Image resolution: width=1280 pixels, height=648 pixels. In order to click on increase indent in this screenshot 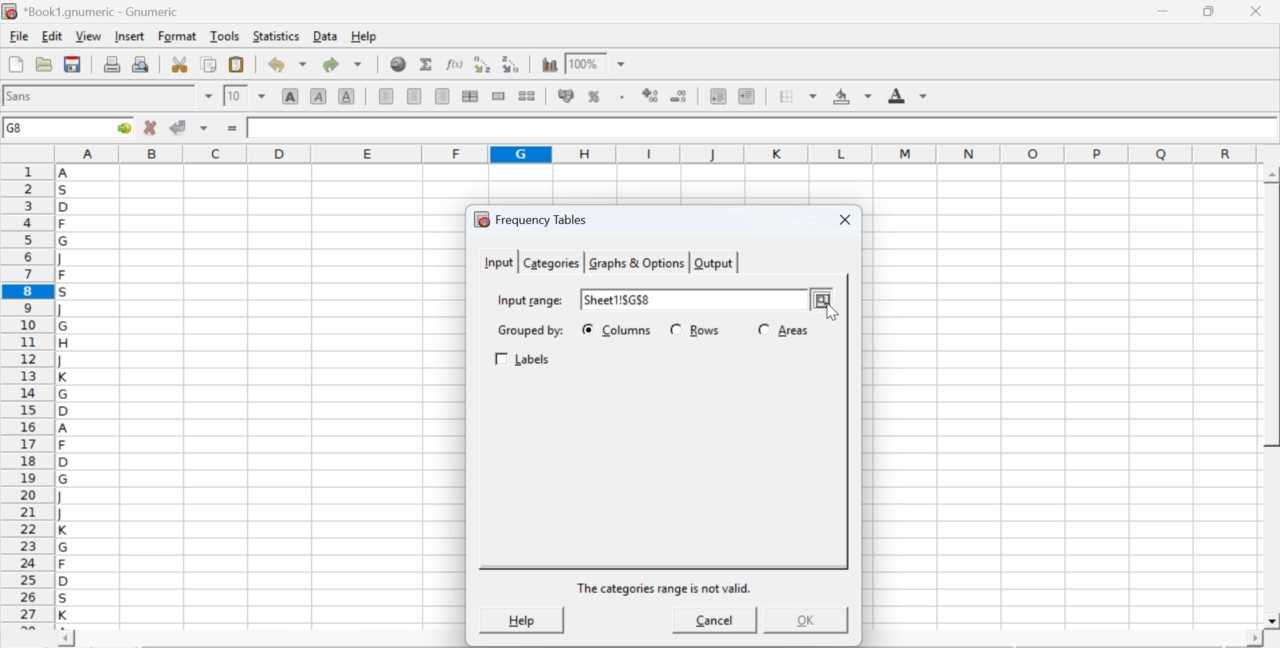, I will do `click(746, 97)`.